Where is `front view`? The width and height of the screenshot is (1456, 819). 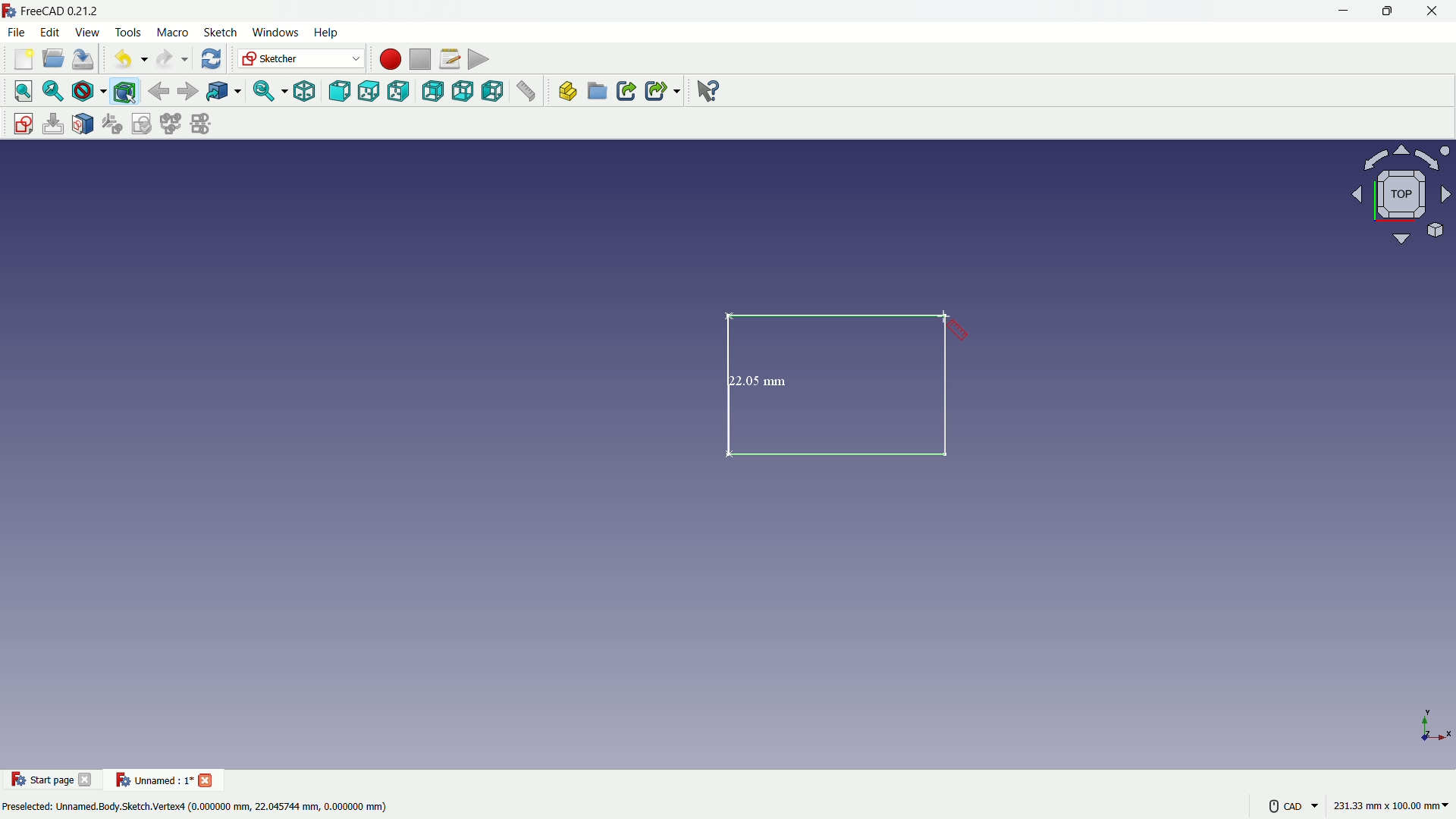 front view is located at coordinates (338, 91).